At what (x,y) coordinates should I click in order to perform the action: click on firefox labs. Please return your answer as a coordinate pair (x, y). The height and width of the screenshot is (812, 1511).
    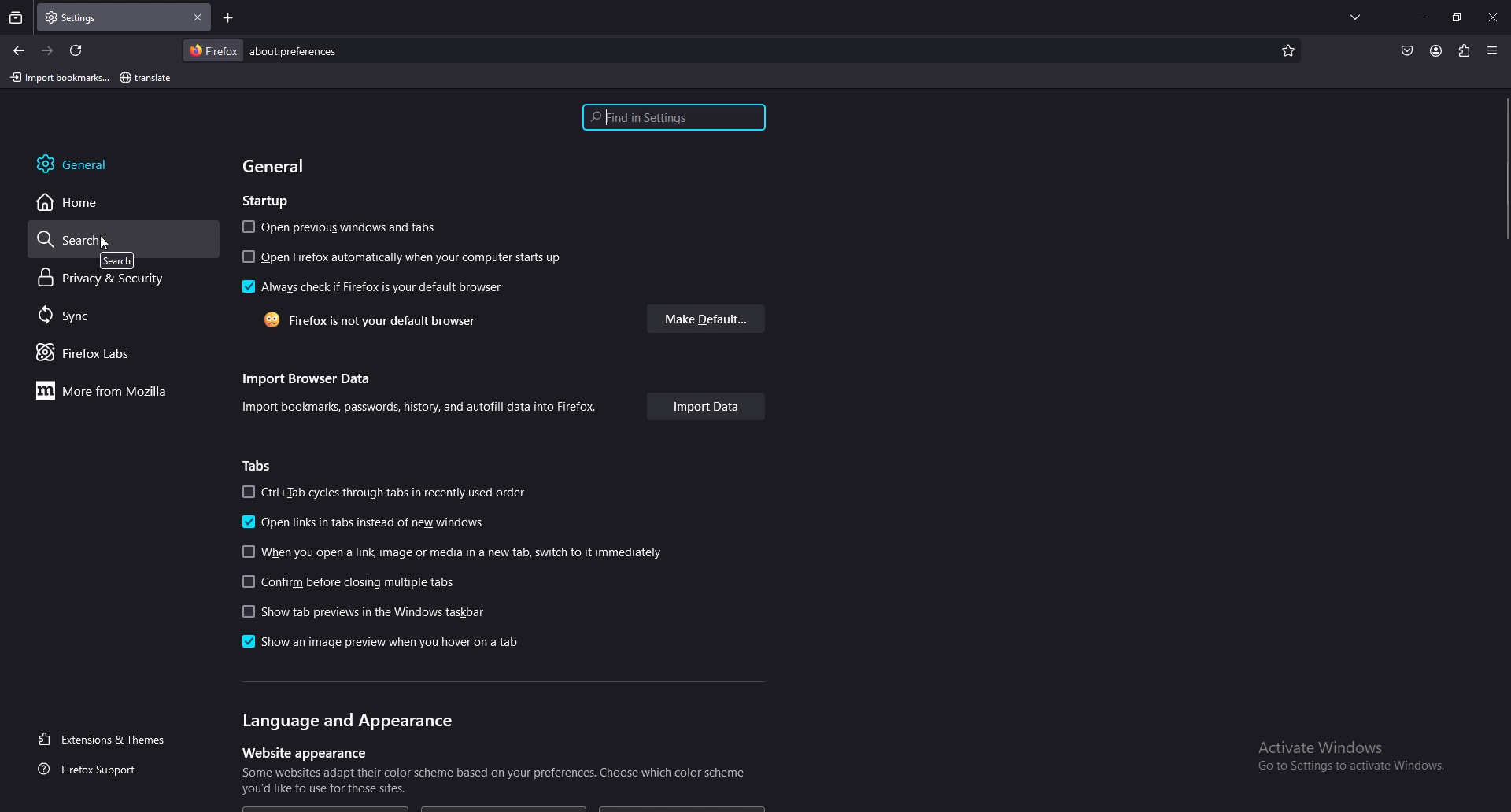
    Looking at the image, I should click on (109, 352).